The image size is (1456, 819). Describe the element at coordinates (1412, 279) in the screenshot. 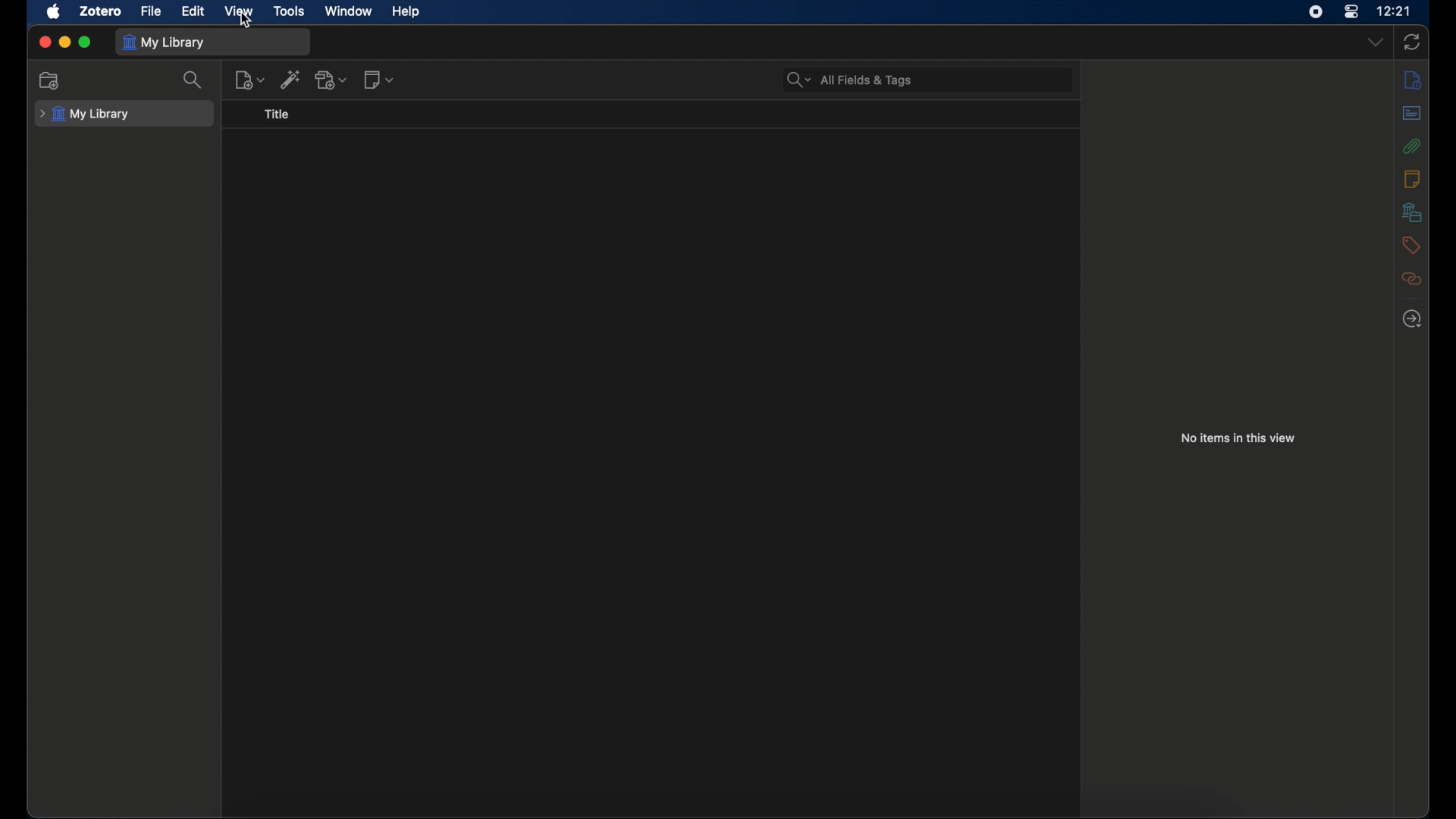

I see `attachments` at that location.